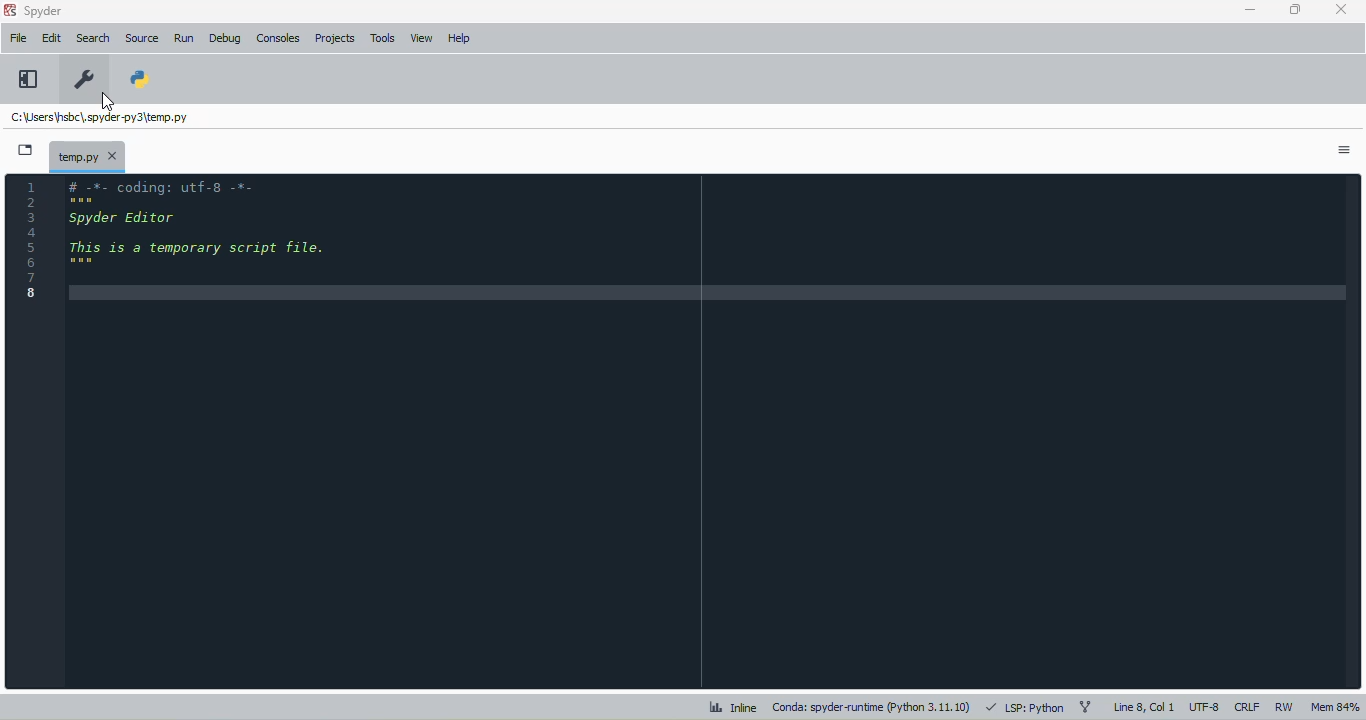  Describe the element at coordinates (382, 37) in the screenshot. I see `tools` at that location.